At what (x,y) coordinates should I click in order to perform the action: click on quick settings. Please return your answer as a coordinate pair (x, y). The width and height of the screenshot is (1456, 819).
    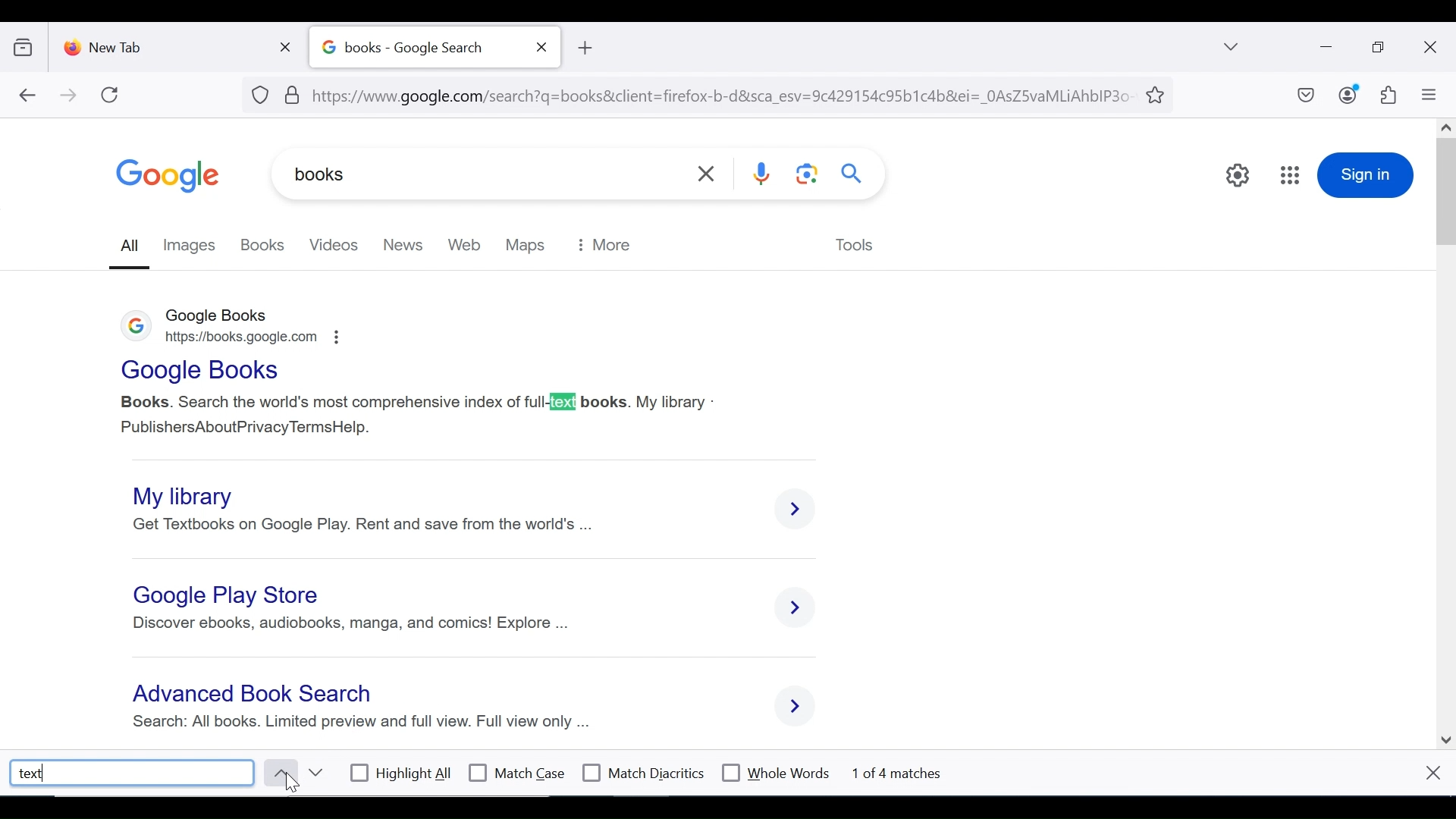
    Looking at the image, I should click on (1237, 176).